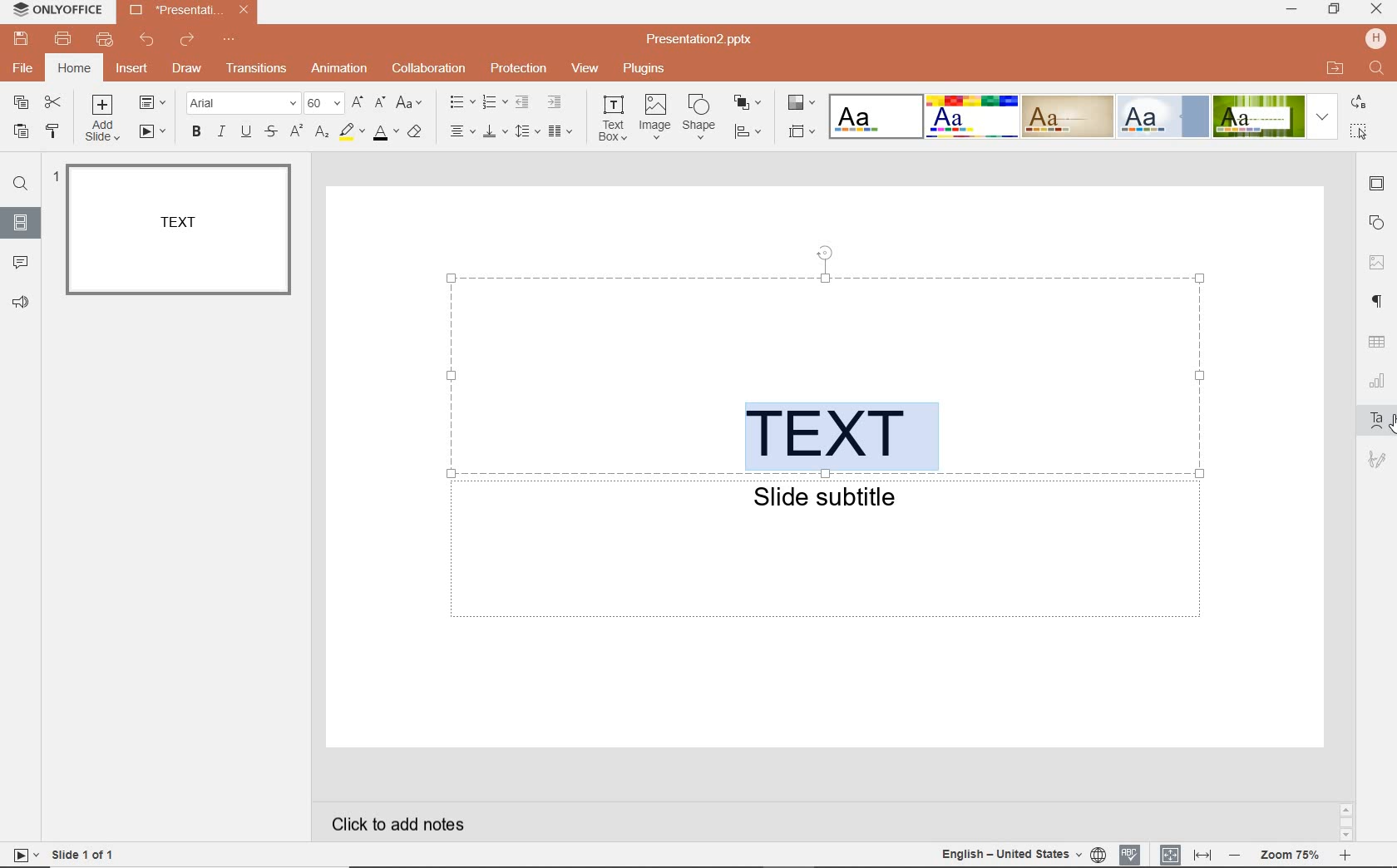 The width and height of the screenshot is (1397, 868). I want to click on TET ART, so click(1376, 418).